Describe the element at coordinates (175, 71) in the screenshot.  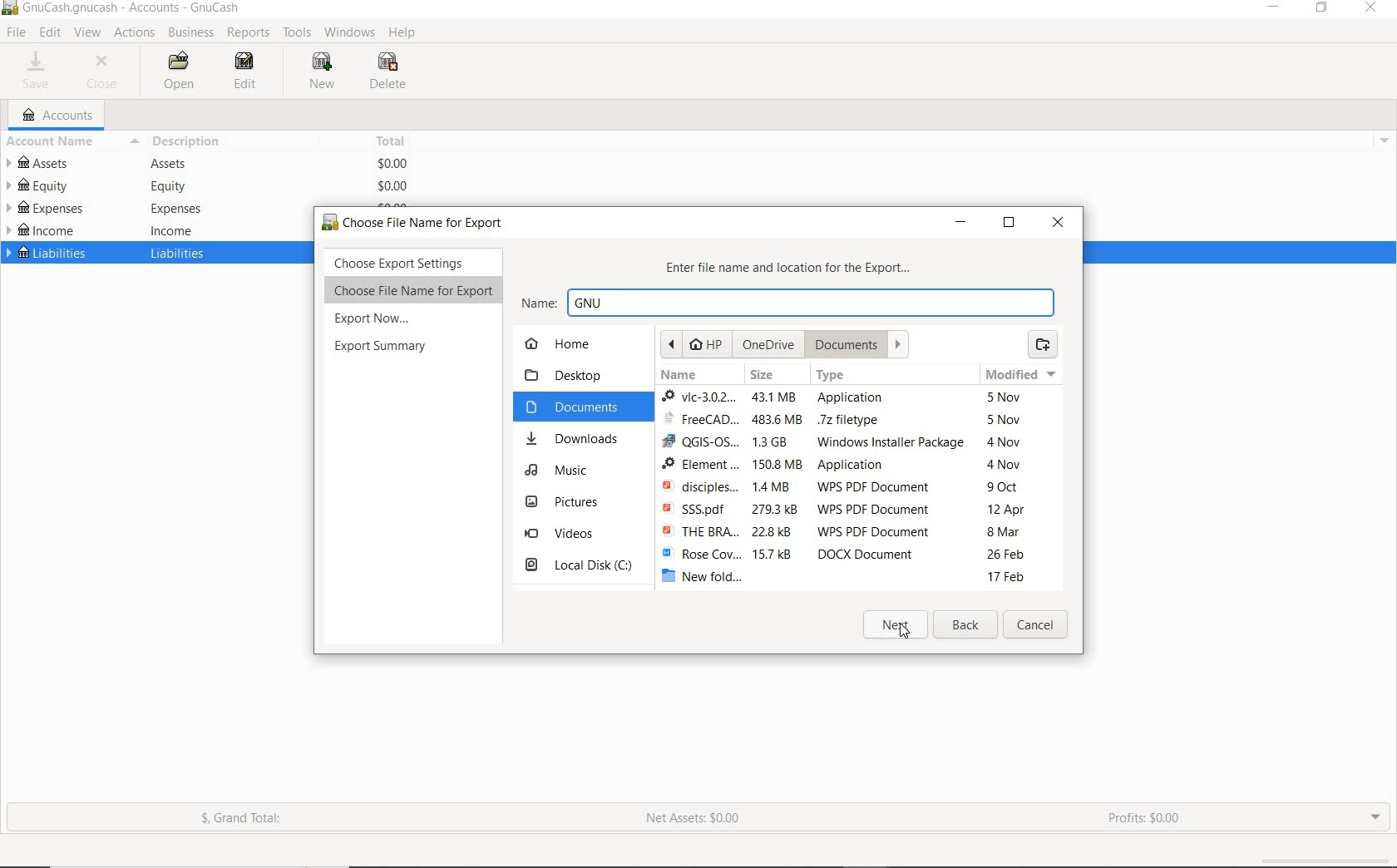
I see `OPEN` at that location.